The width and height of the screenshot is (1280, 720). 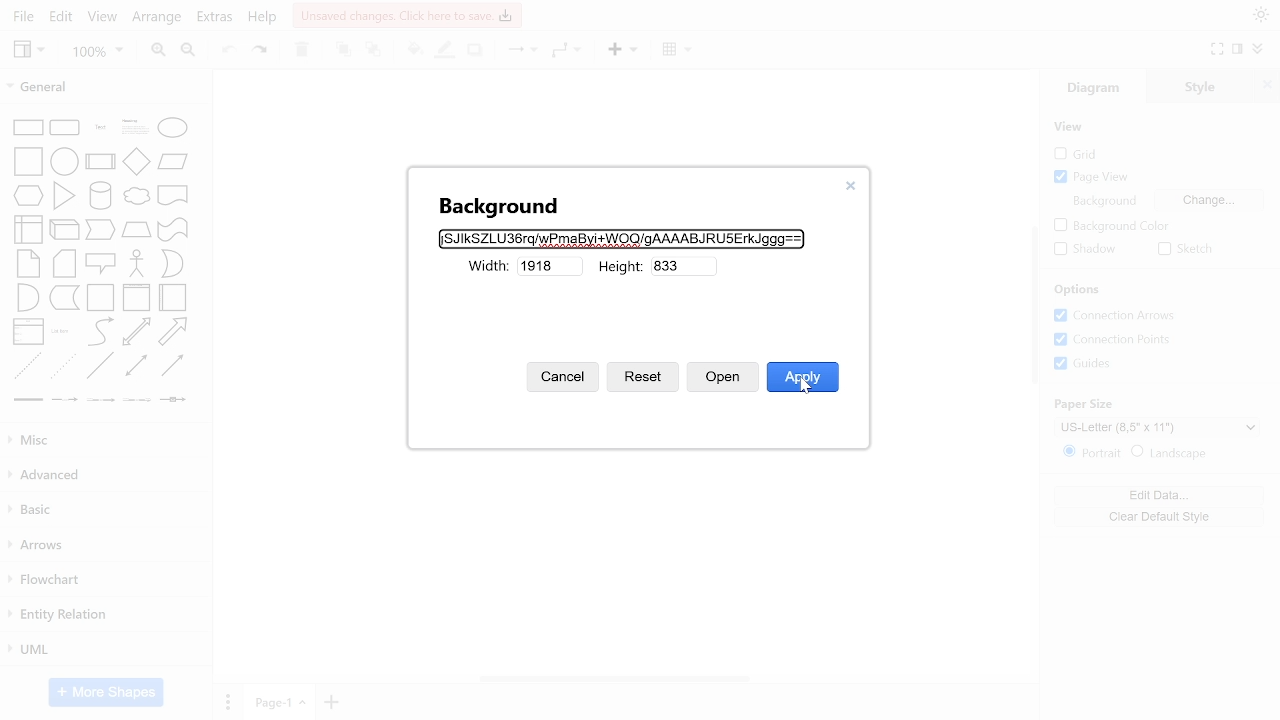 I want to click on connection points, so click(x=1120, y=340).